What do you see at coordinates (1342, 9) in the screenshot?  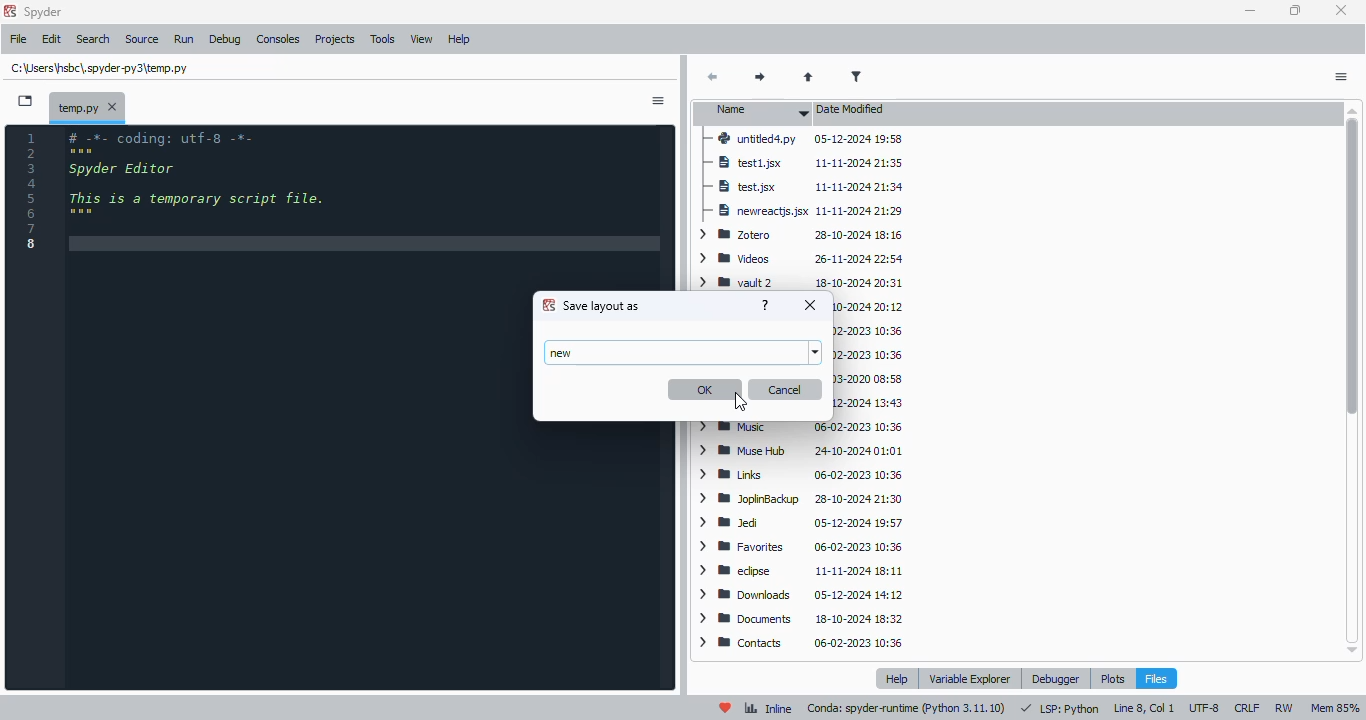 I see `close` at bounding box center [1342, 9].